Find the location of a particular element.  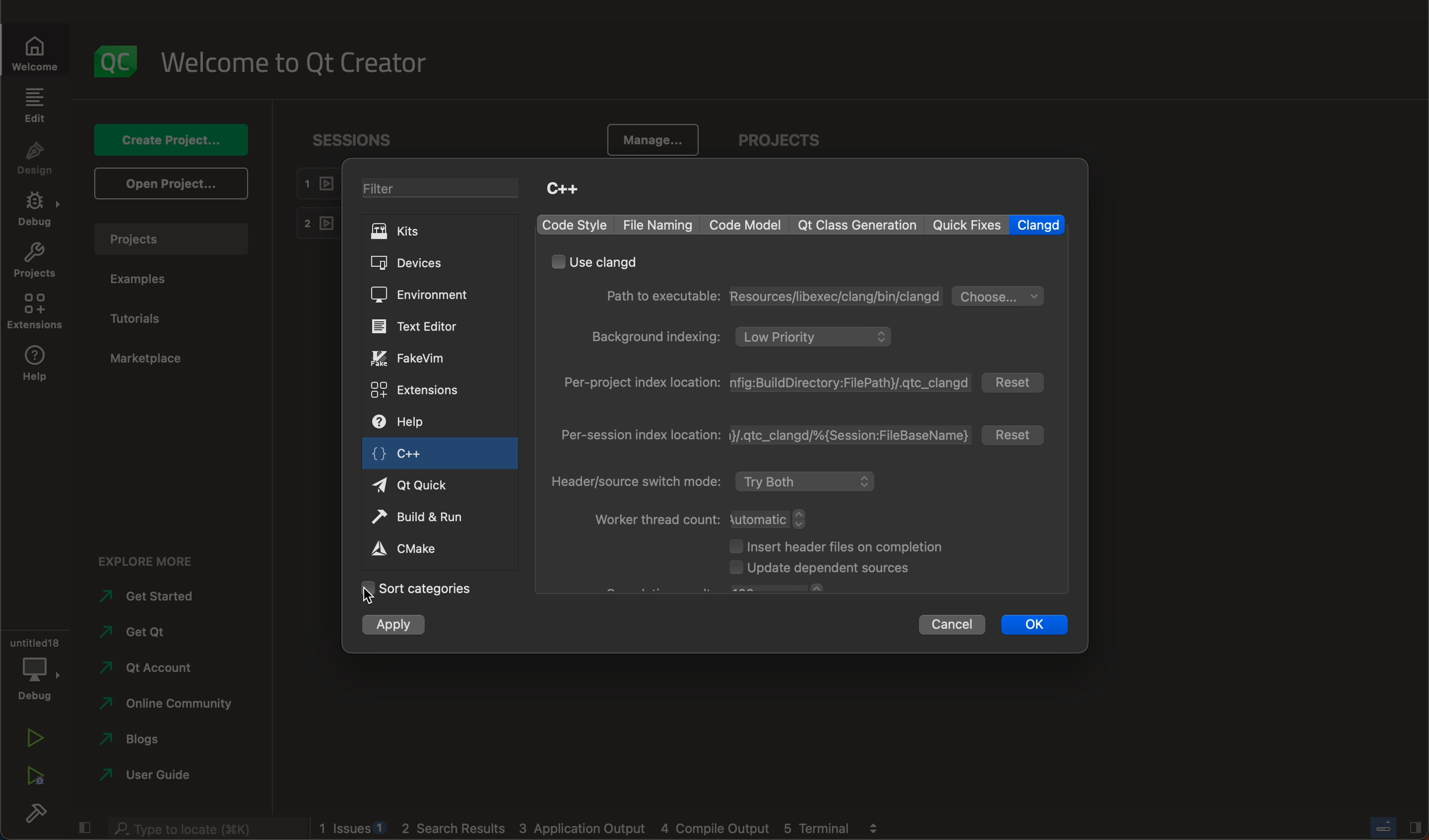

get Qt is located at coordinates (139, 633).